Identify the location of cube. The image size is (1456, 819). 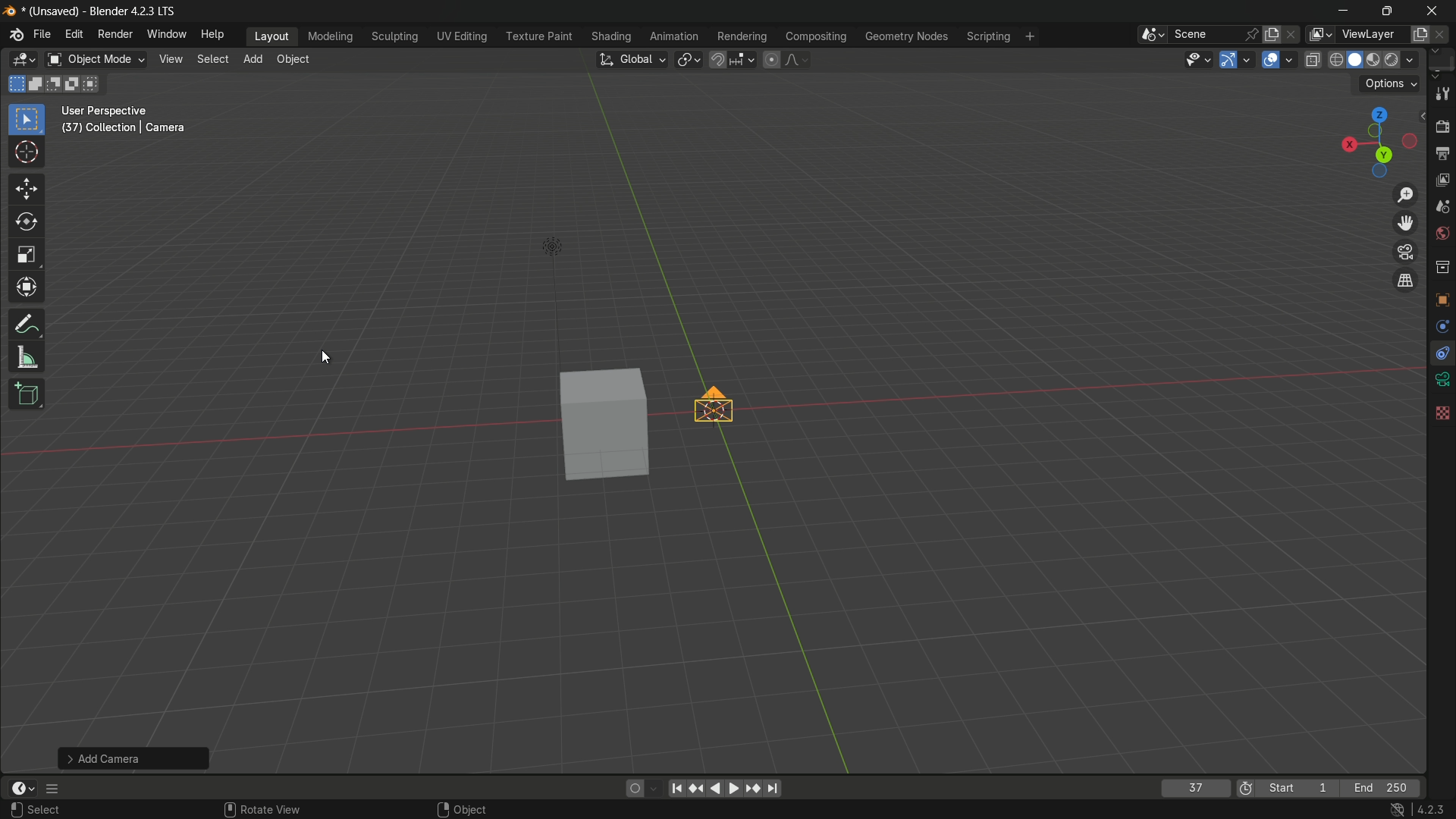
(598, 427).